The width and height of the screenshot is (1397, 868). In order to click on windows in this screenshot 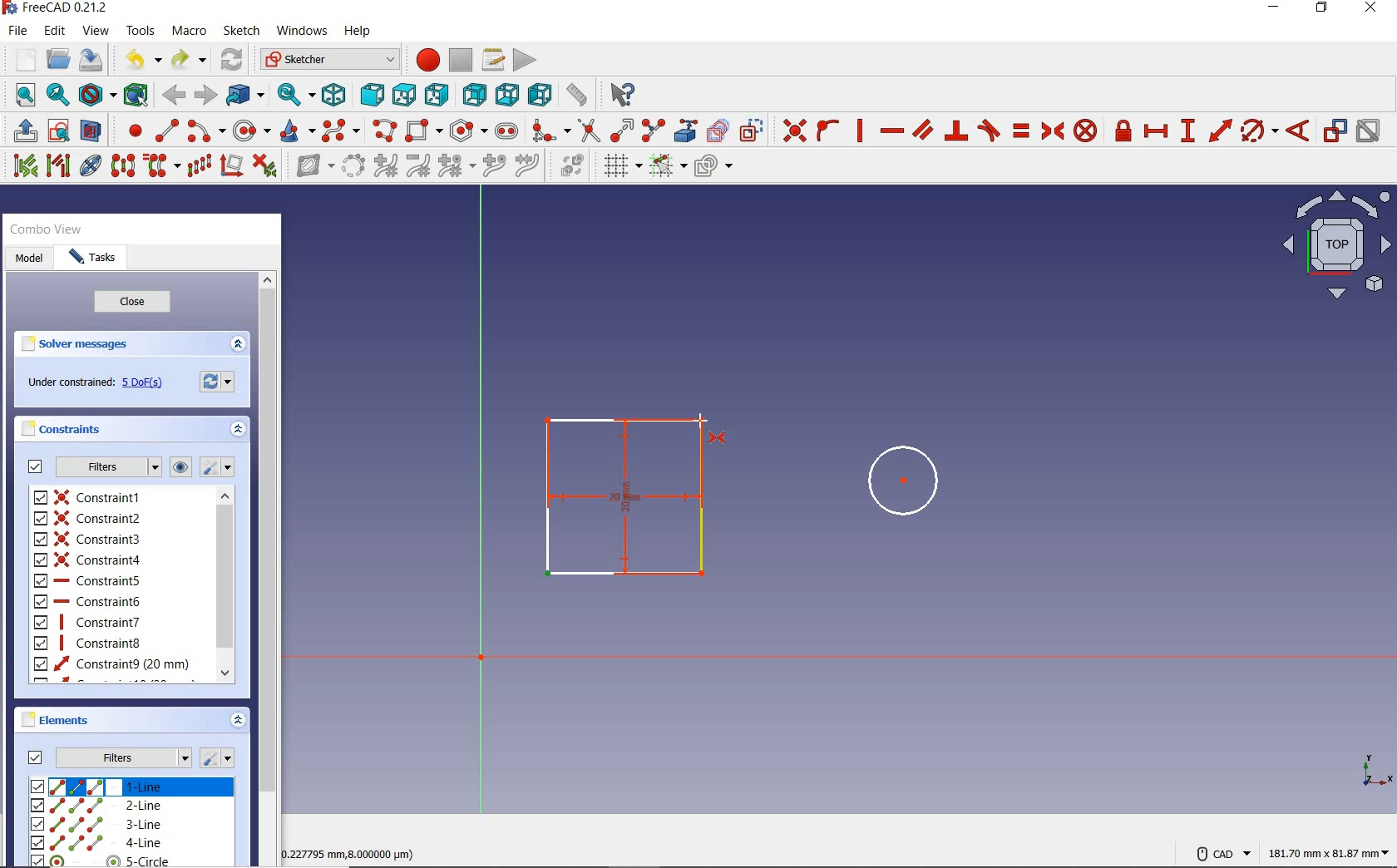, I will do `click(304, 31)`.